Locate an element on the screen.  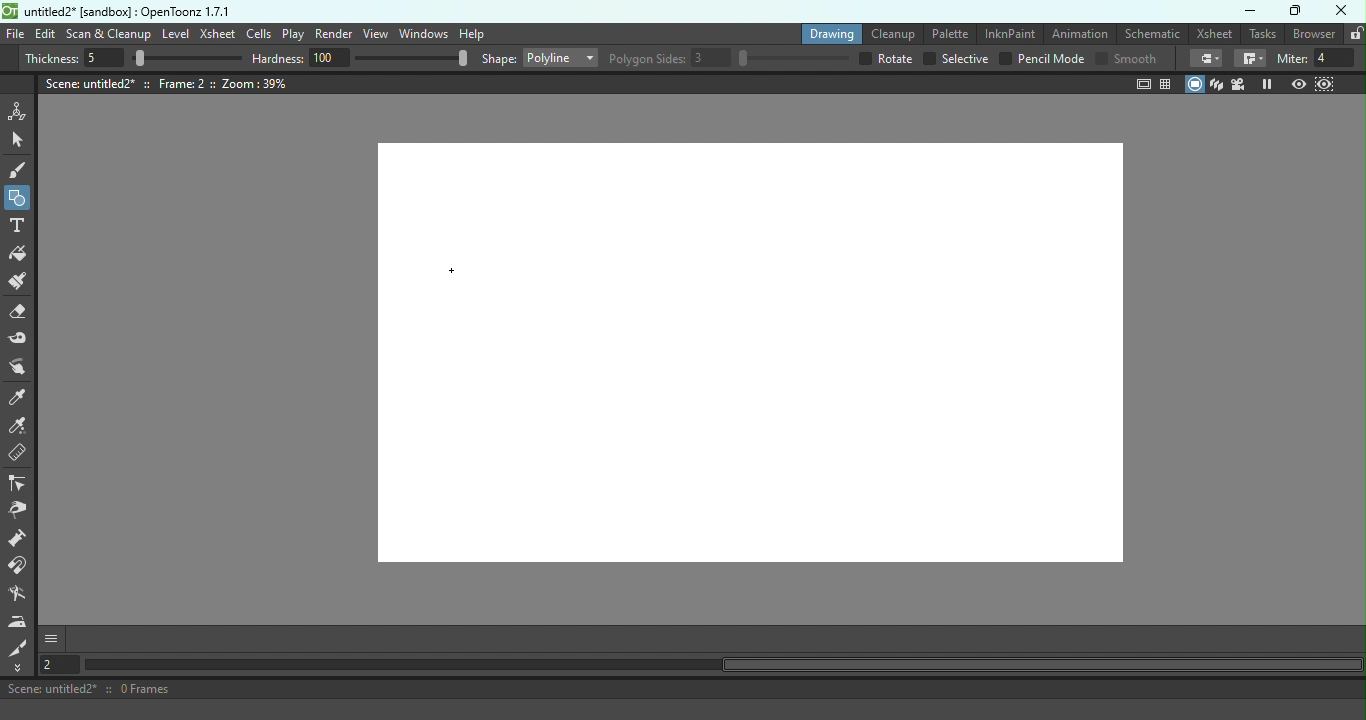
Pencil Mode is located at coordinates (1041, 60).